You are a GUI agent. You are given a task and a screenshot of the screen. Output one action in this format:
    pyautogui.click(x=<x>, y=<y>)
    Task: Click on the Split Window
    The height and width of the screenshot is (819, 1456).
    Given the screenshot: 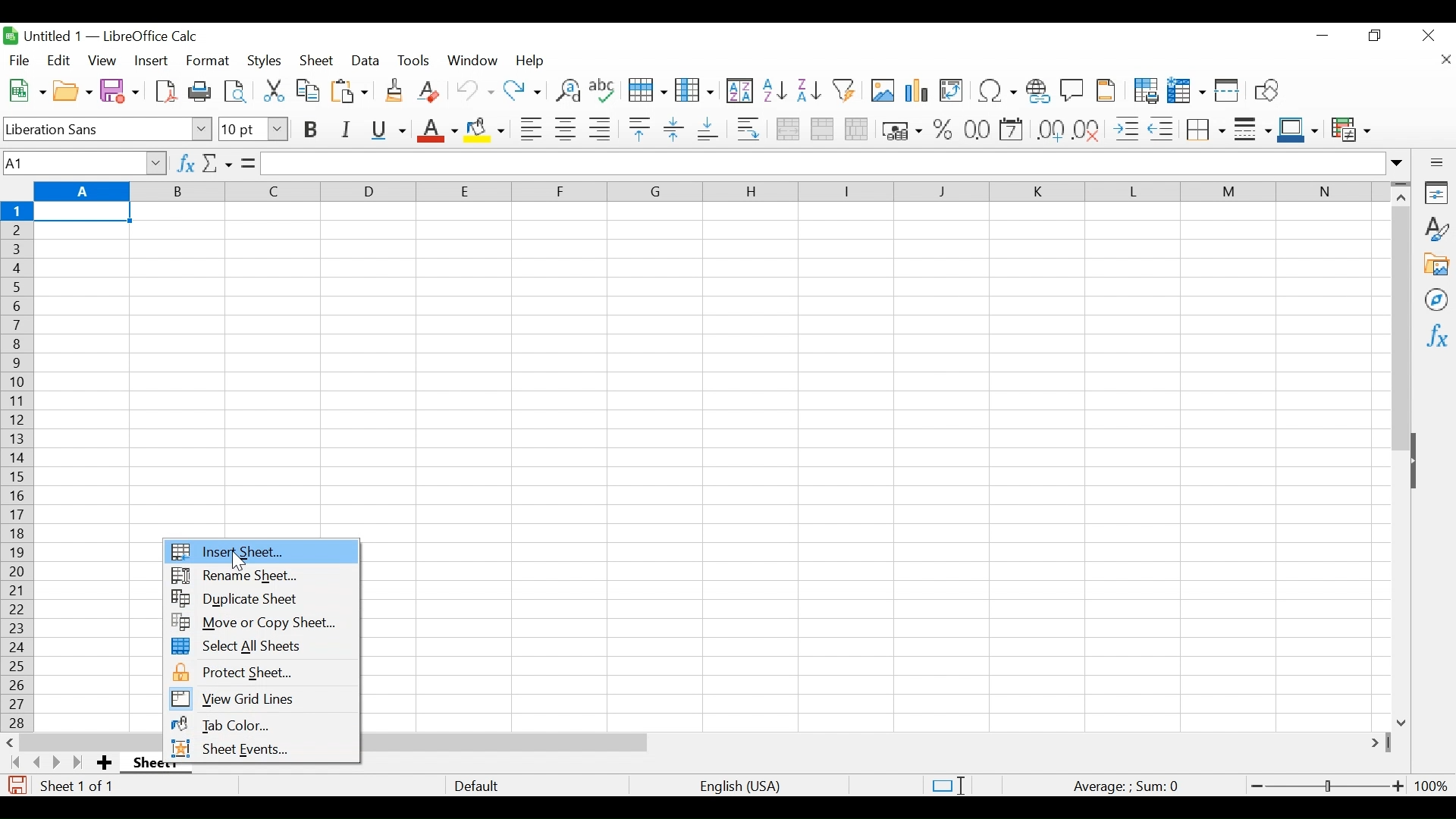 What is the action you would take?
    pyautogui.click(x=1227, y=91)
    